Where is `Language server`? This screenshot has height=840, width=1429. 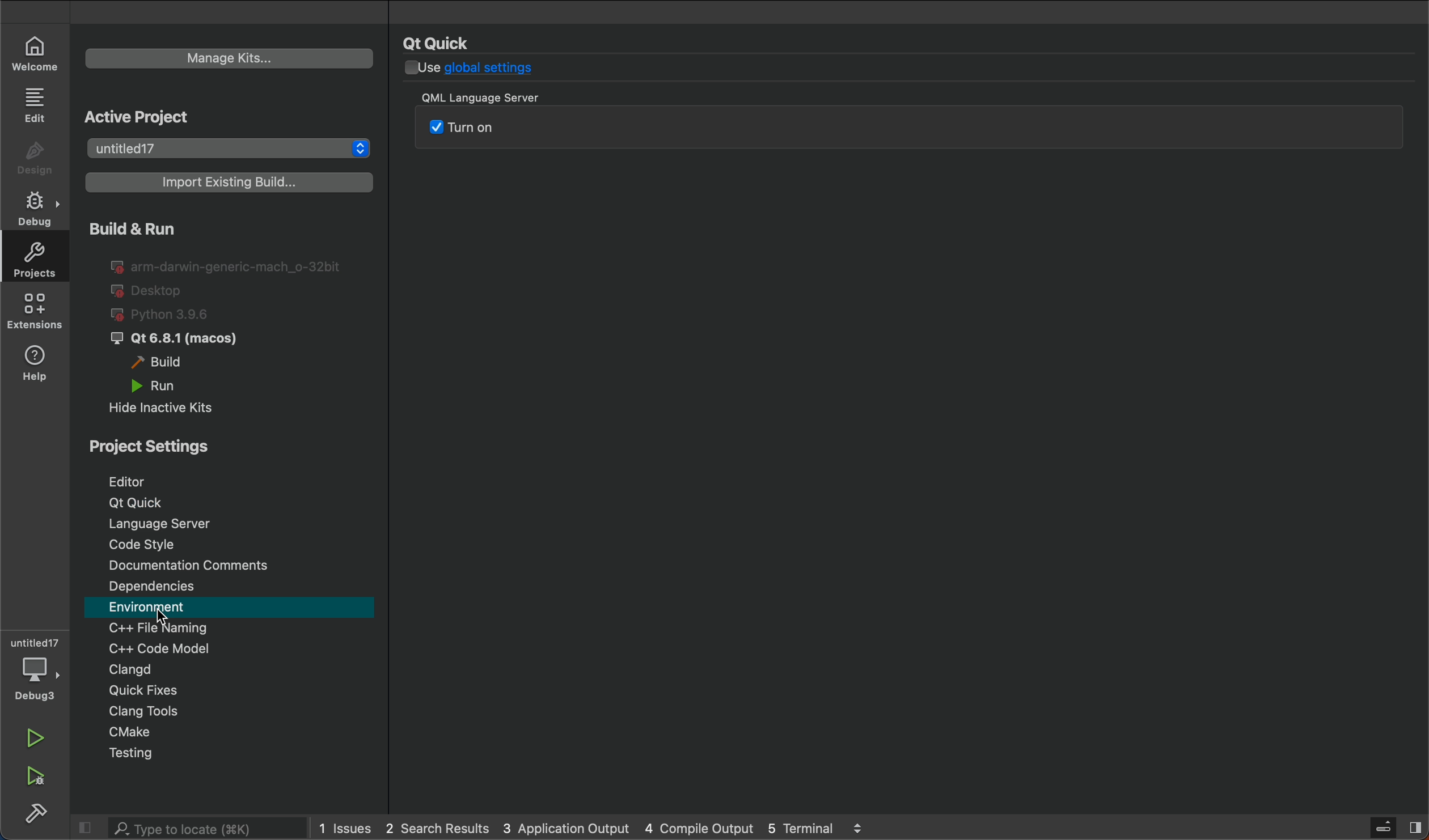
Language server is located at coordinates (232, 523).